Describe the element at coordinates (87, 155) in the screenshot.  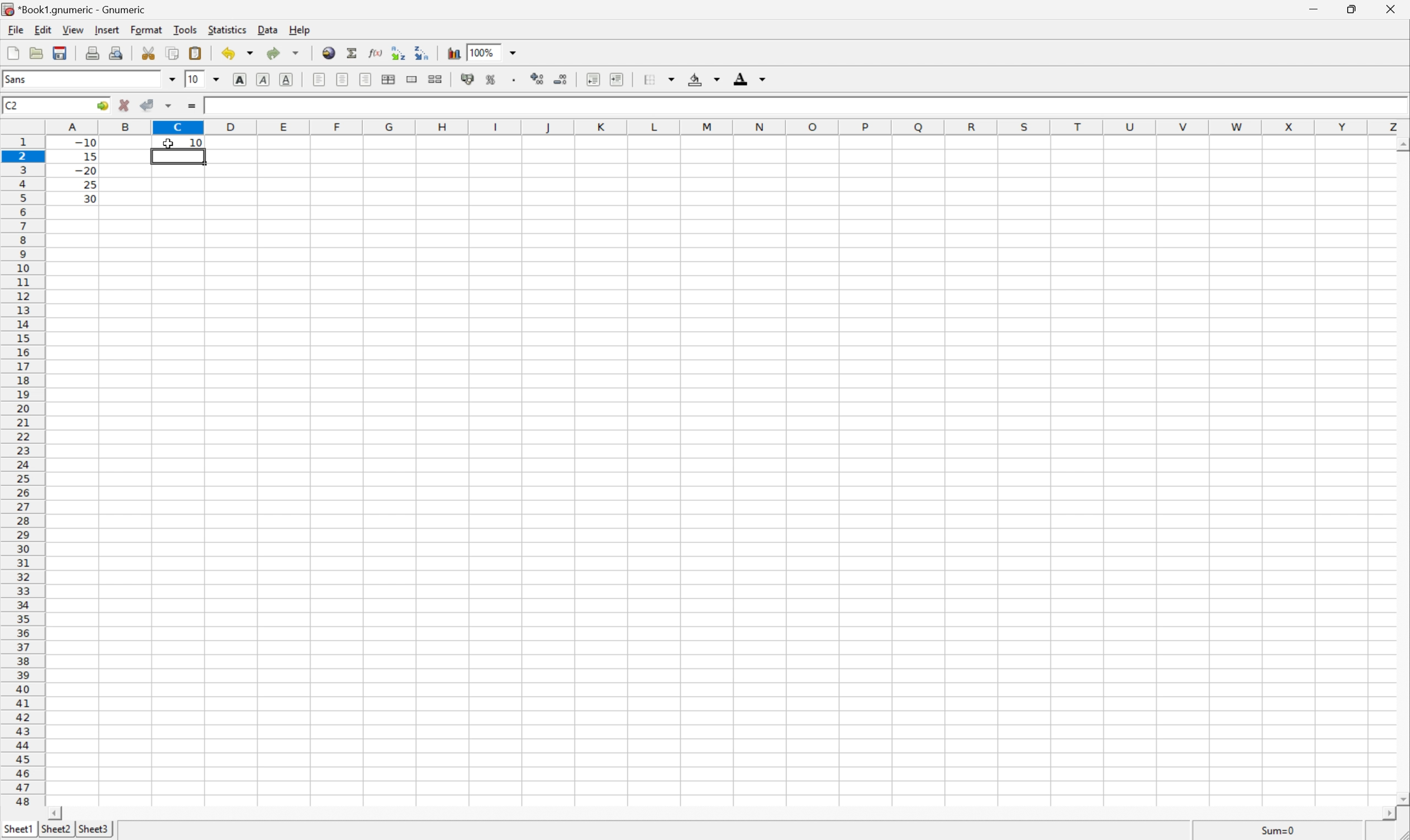
I see `15` at that location.